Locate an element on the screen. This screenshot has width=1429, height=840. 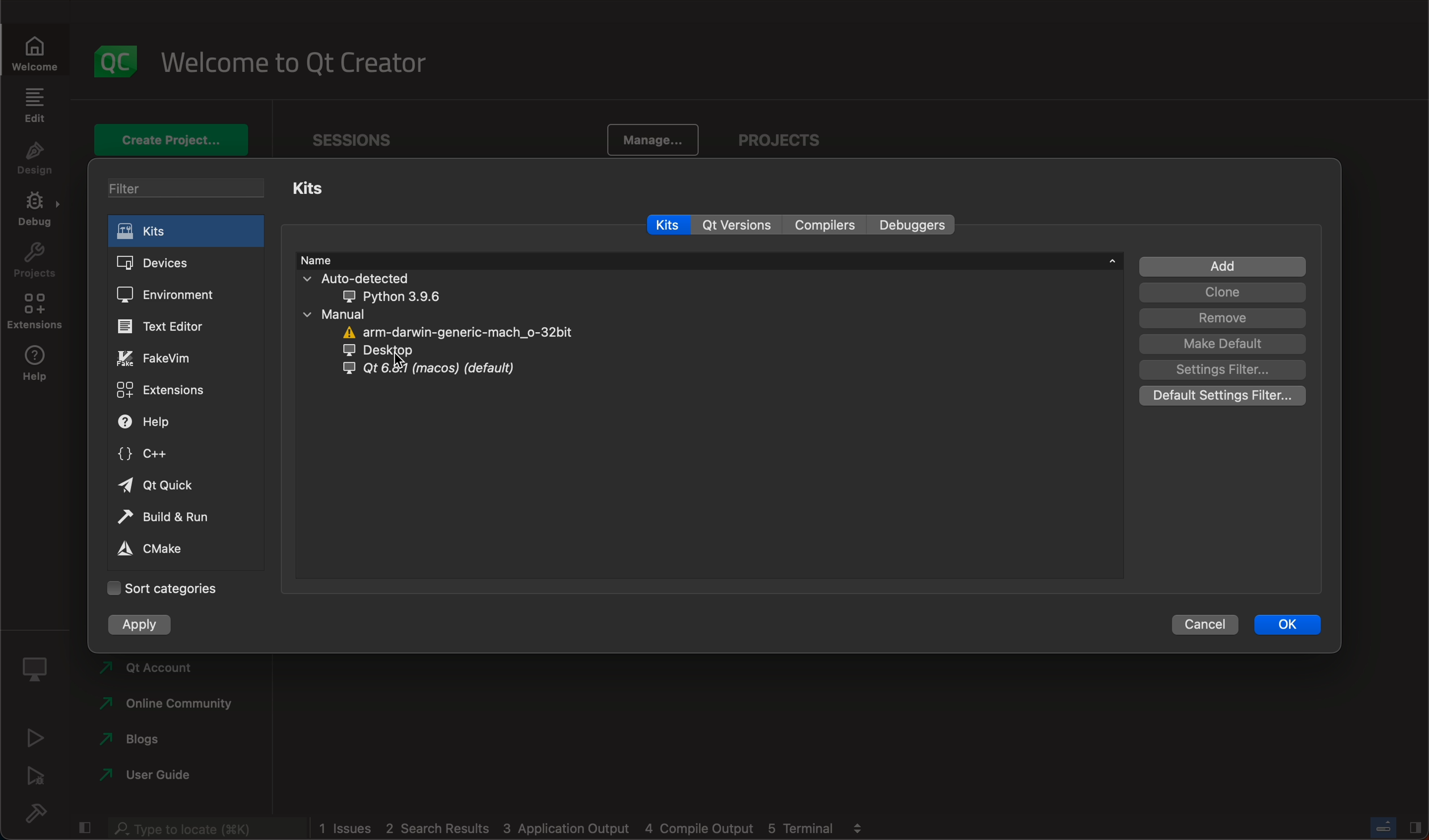
manage is located at coordinates (653, 138).